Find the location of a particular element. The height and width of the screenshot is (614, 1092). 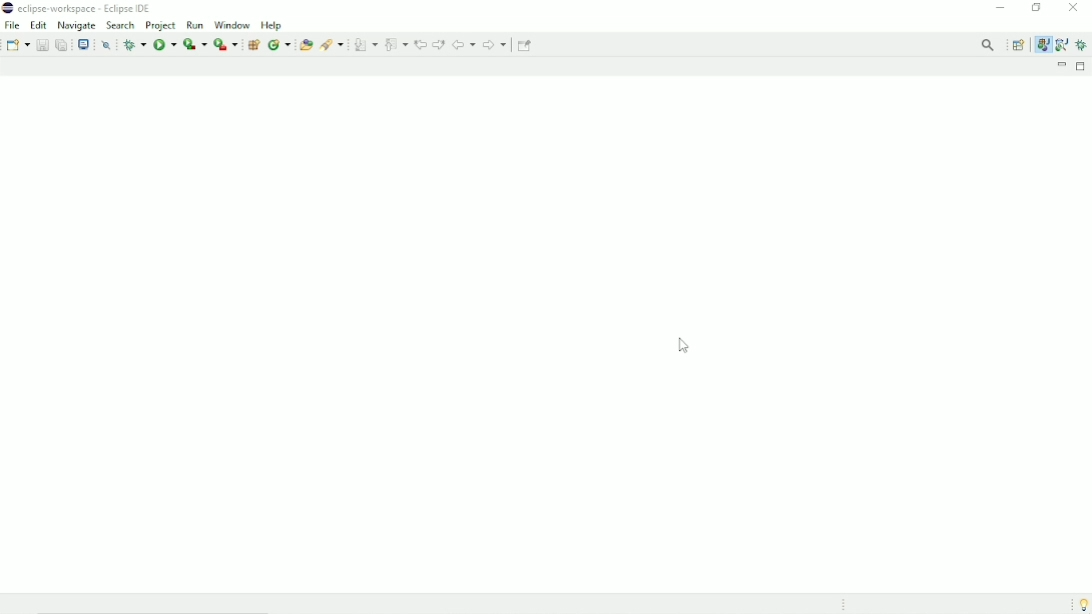

Open a terminal is located at coordinates (84, 45).